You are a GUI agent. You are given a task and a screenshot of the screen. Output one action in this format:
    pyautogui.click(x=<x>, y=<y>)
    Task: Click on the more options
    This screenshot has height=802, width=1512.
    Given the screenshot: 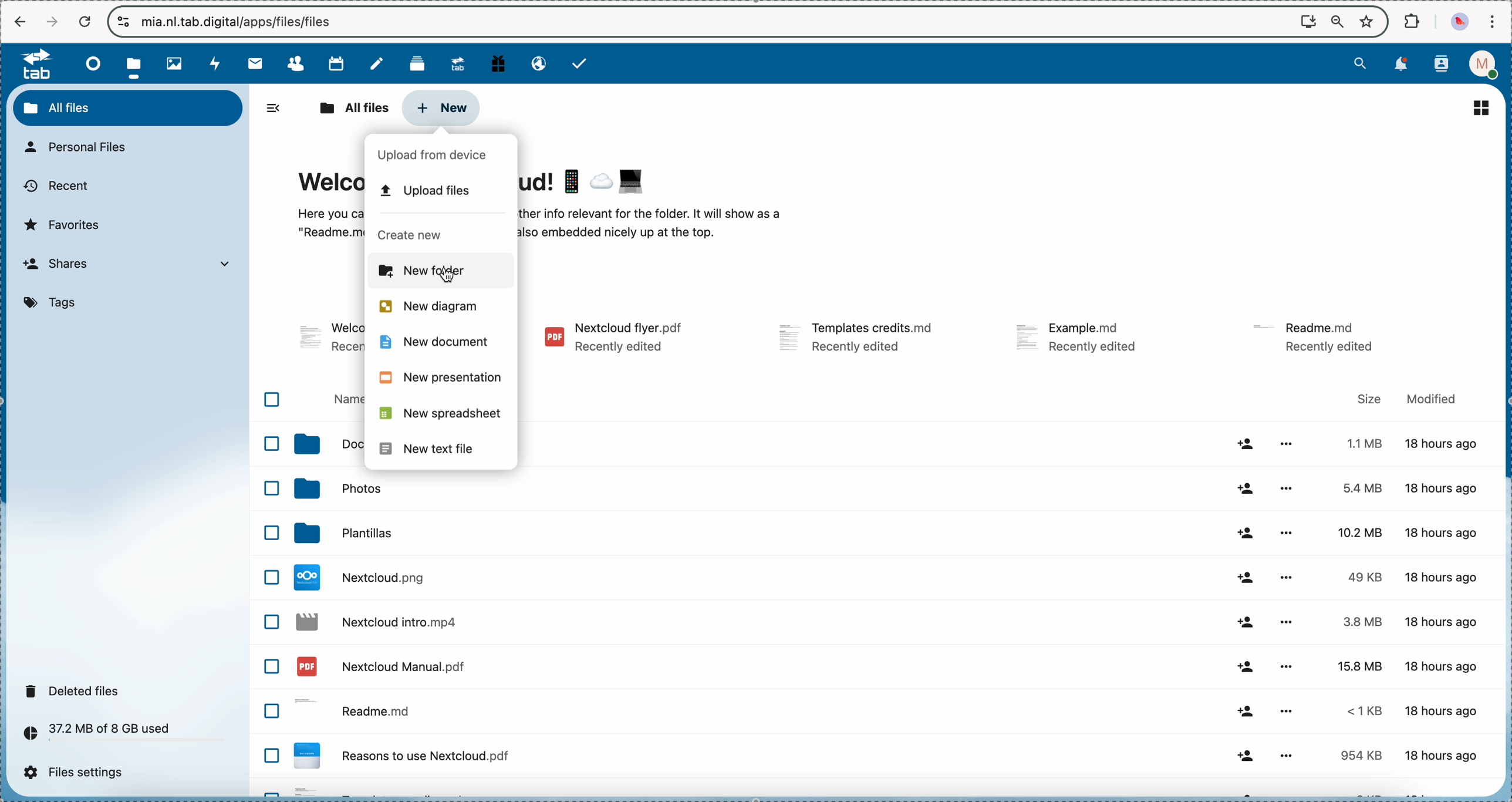 What is the action you would take?
    pyautogui.click(x=1289, y=754)
    